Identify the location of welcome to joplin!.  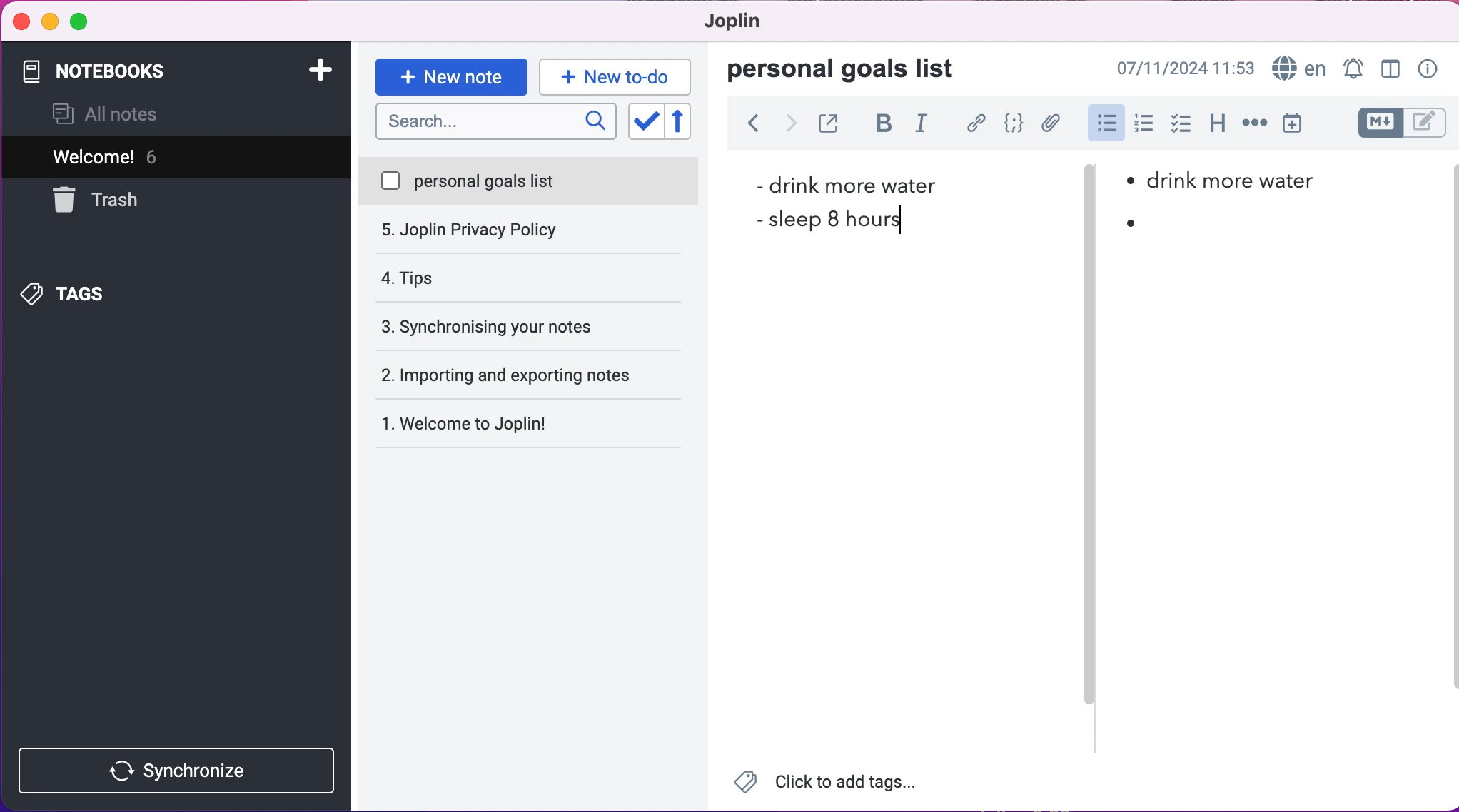
(495, 377).